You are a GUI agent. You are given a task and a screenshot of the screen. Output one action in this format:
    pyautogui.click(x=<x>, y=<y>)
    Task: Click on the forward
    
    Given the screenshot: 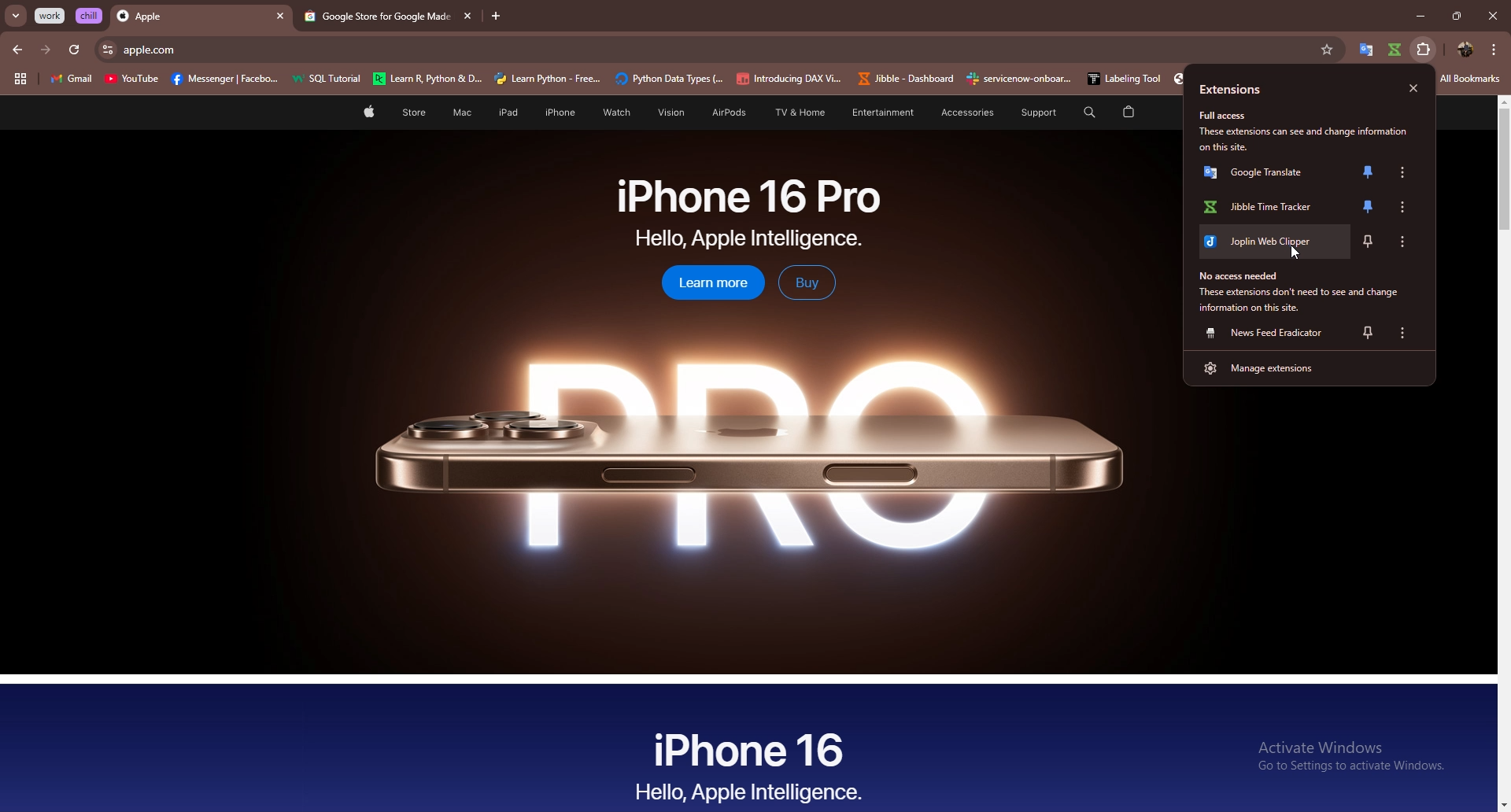 What is the action you would take?
    pyautogui.click(x=46, y=50)
    